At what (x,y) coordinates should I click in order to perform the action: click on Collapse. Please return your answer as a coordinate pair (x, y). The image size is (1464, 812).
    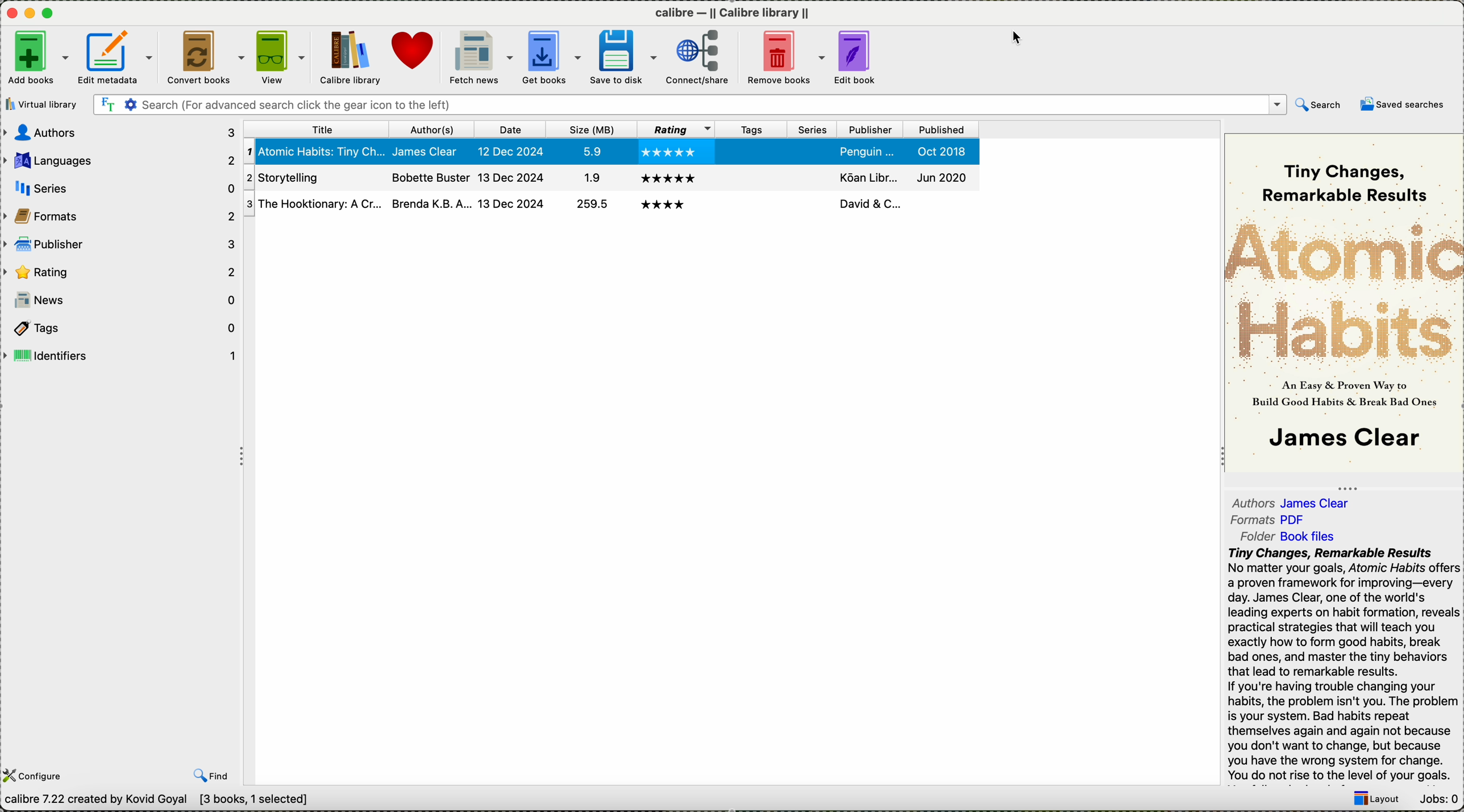
    Looking at the image, I should click on (244, 458).